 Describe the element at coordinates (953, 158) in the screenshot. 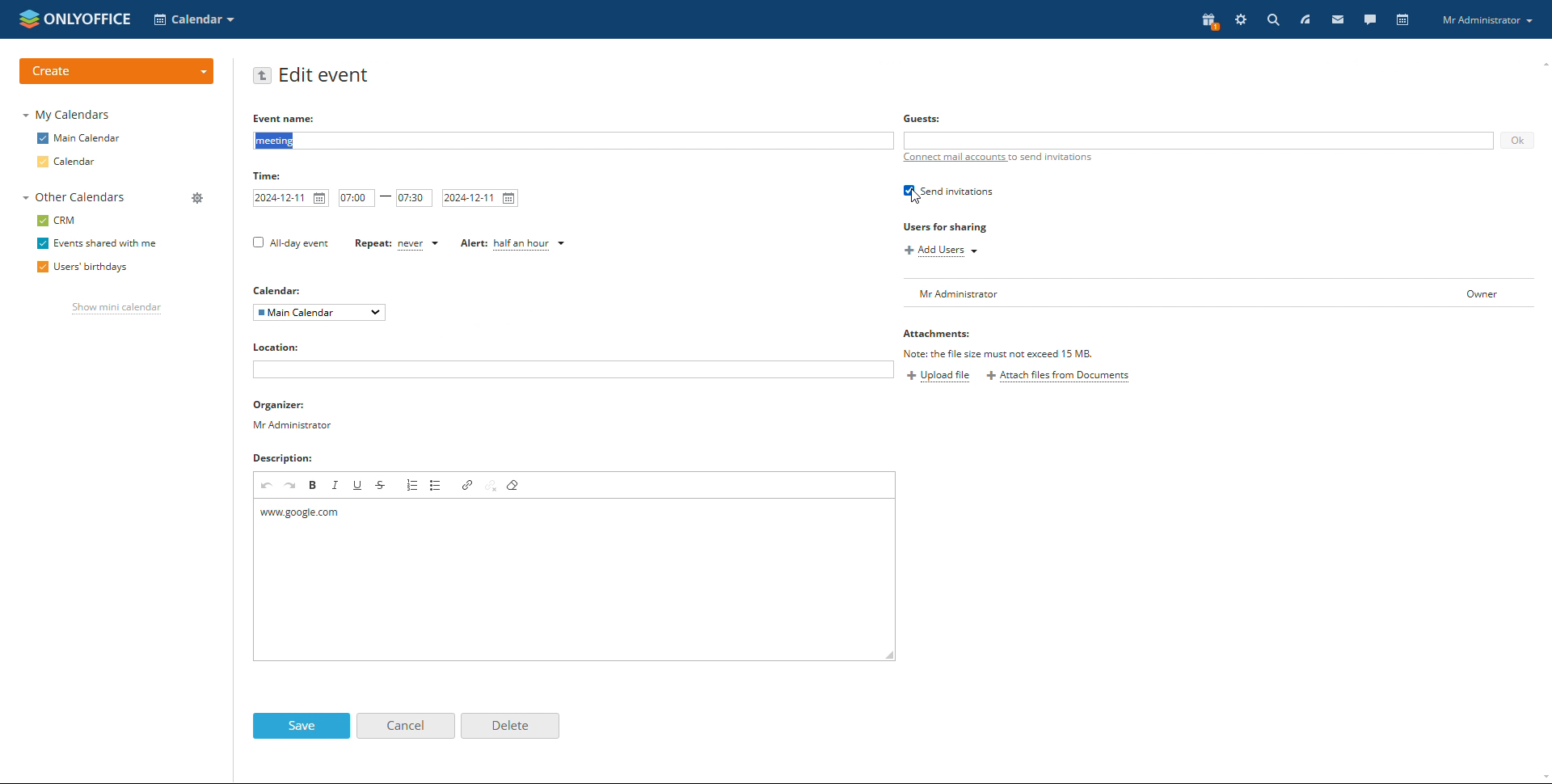

I see `connect mail accounts` at that location.